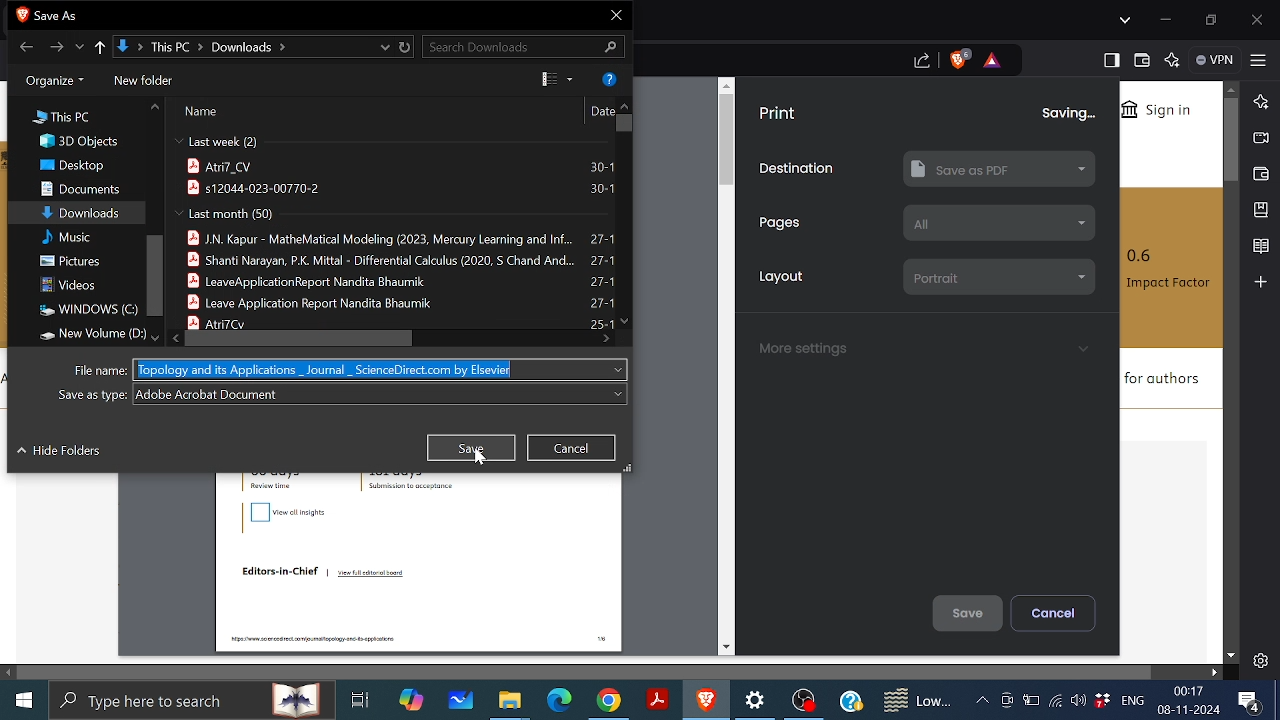 This screenshot has width=1280, height=720. What do you see at coordinates (178, 47) in the screenshot?
I see `This PC` at bounding box center [178, 47].